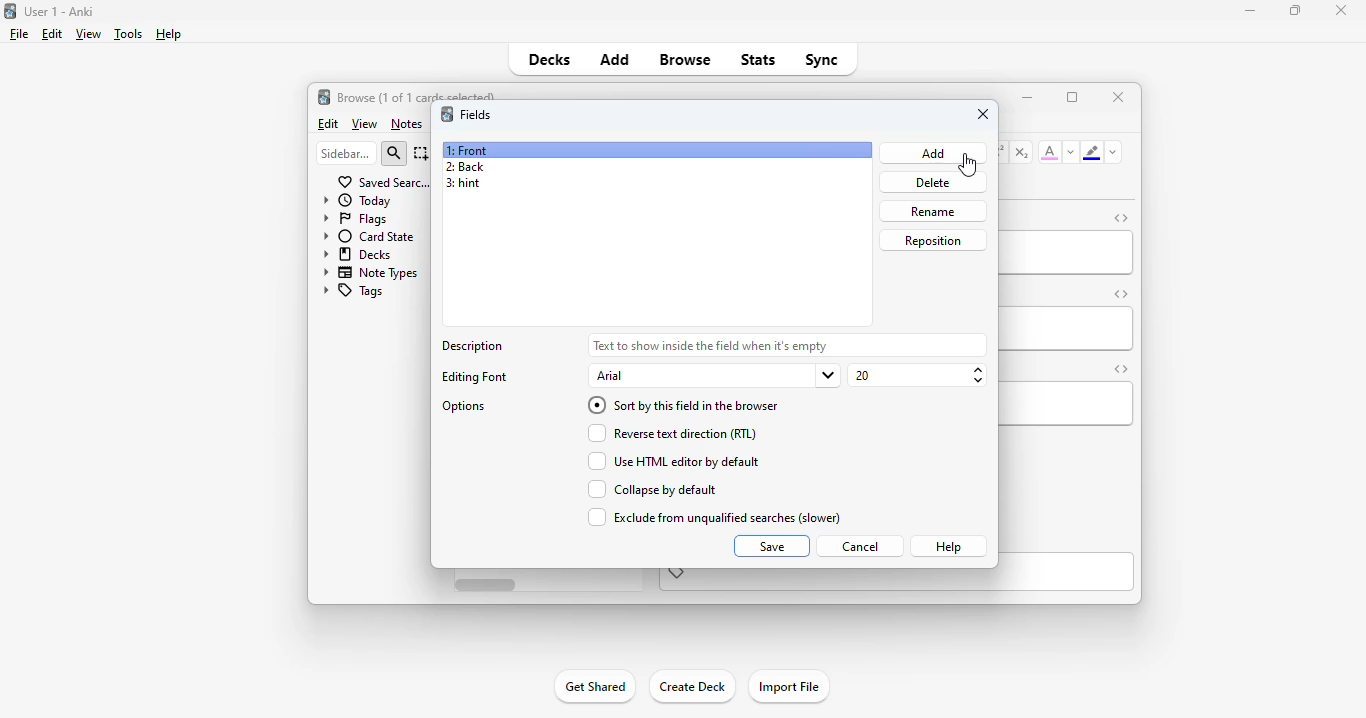 This screenshot has height=718, width=1366. Describe the element at coordinates (1119, 96) in the screenshot. I see `close` at that location.